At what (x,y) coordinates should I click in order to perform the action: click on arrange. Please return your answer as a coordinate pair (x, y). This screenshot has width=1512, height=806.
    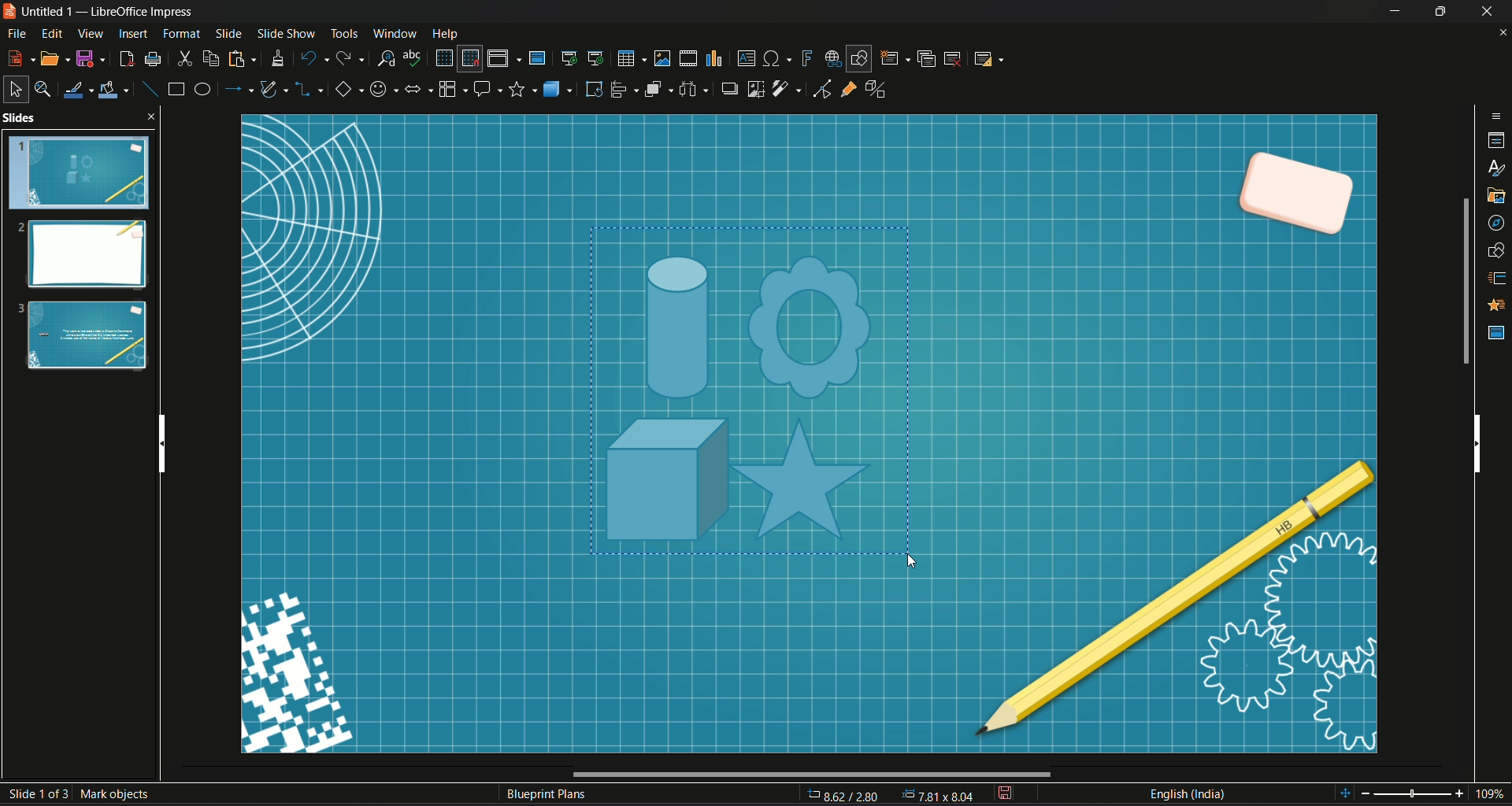
    Looking at the image, I should click on (658, 90).